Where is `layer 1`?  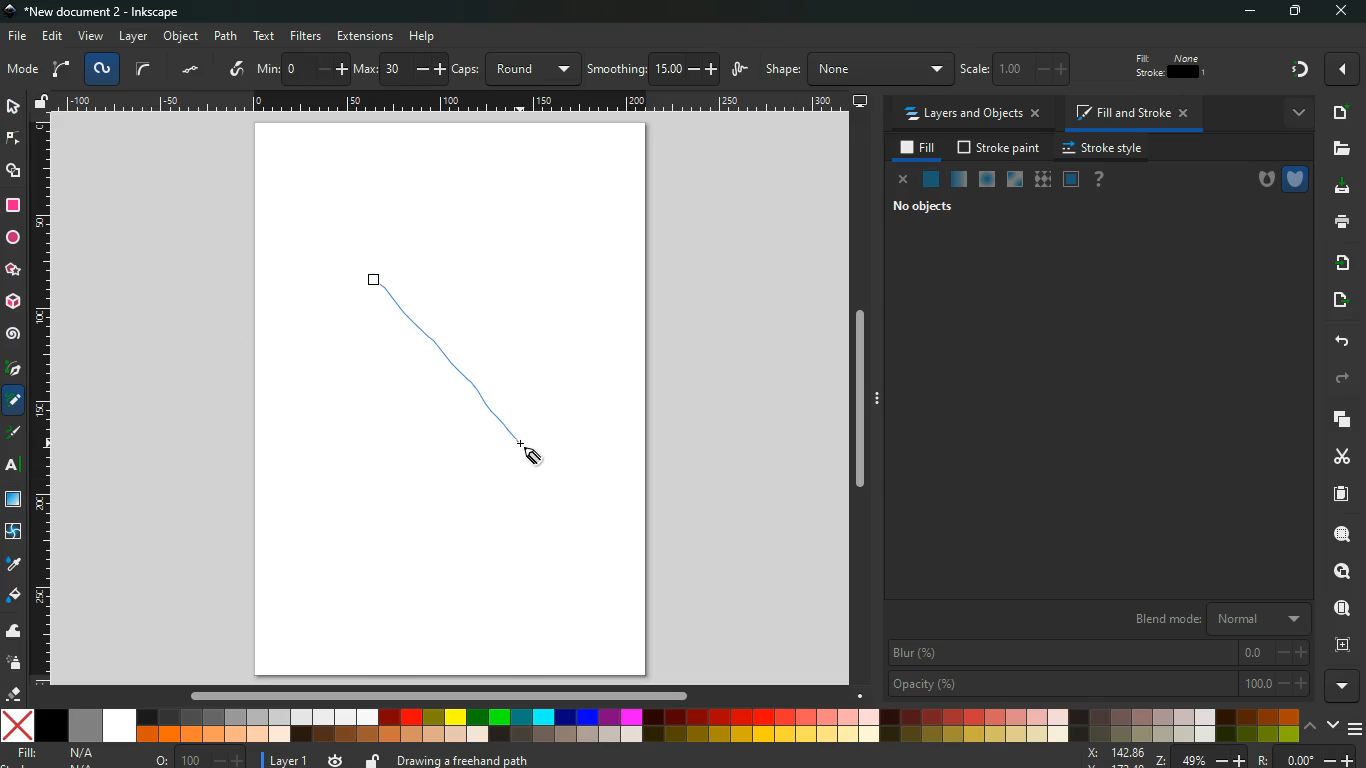 layer 1 is located at coordinates (291, 759).